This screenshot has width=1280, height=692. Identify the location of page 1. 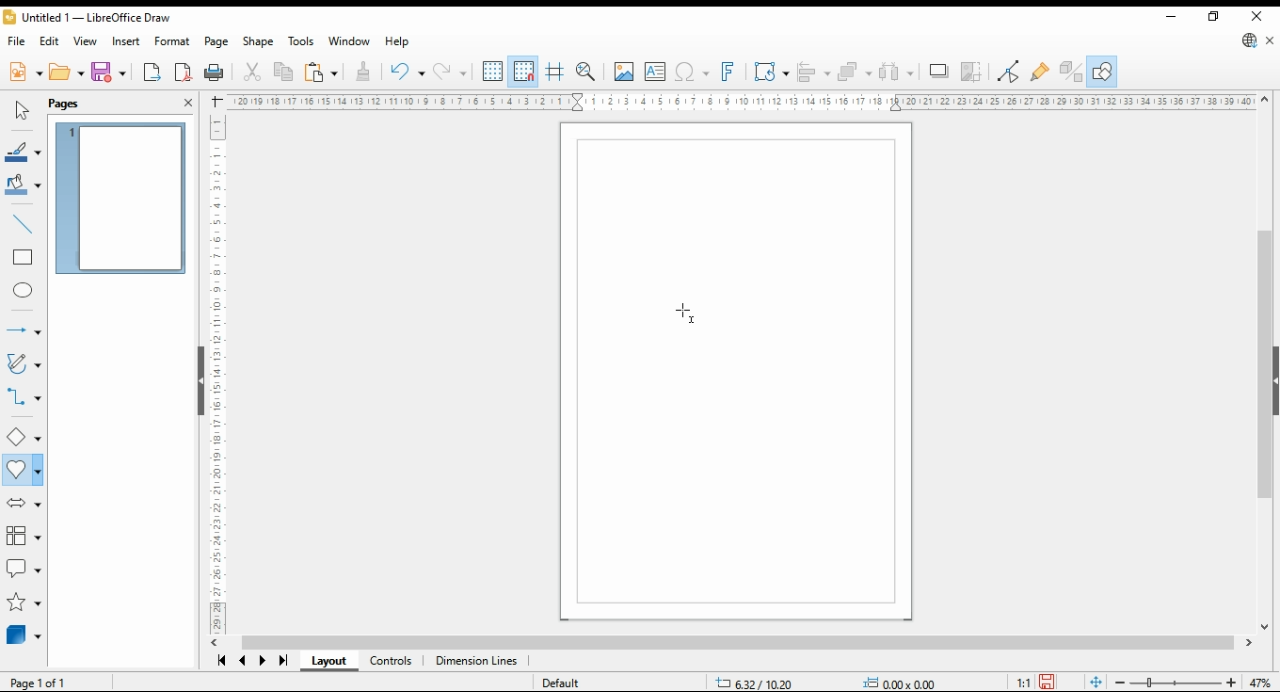
(123, 198).